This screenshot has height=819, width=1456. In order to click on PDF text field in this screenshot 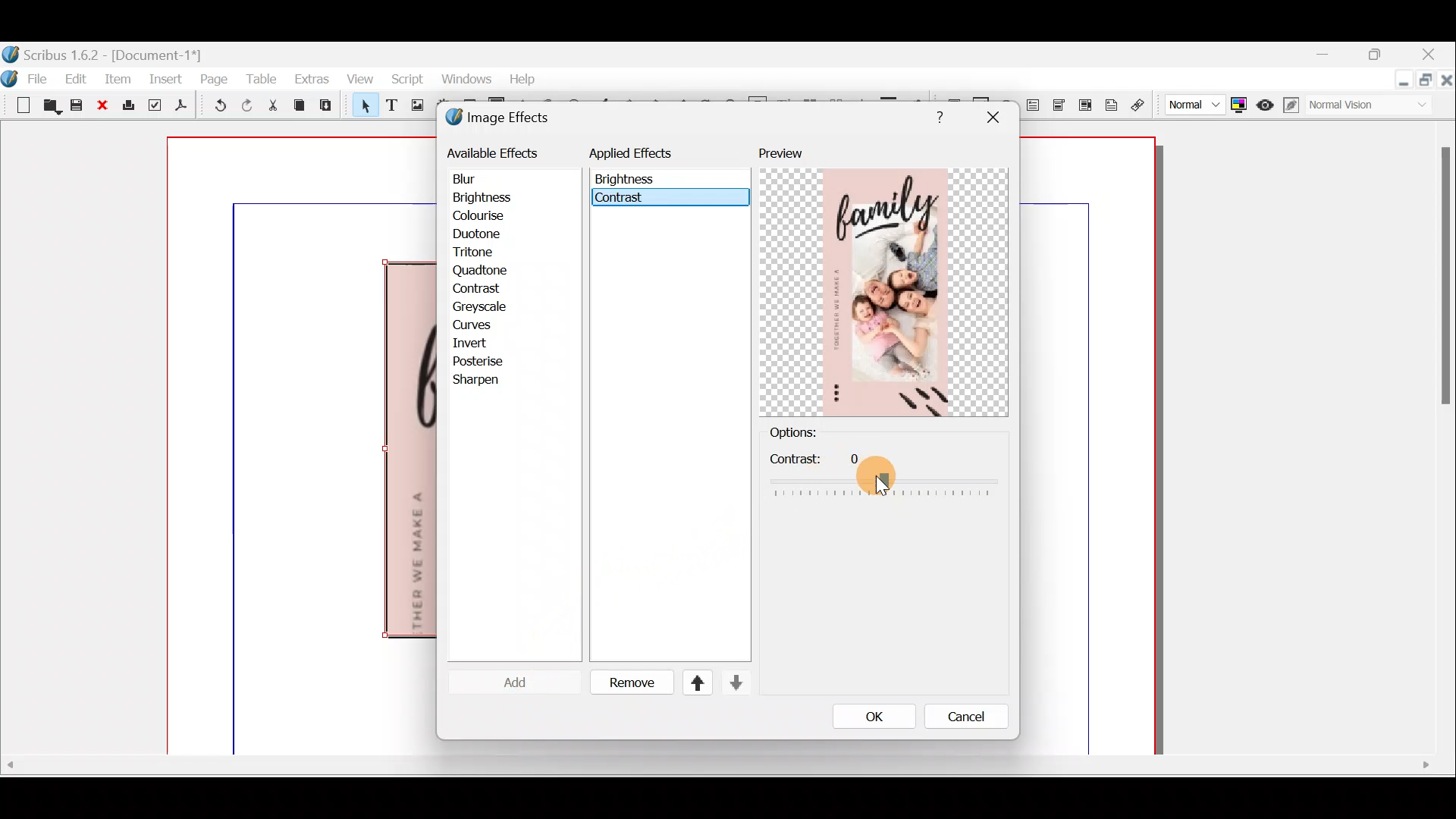, I will do `click(1034, 105)`.